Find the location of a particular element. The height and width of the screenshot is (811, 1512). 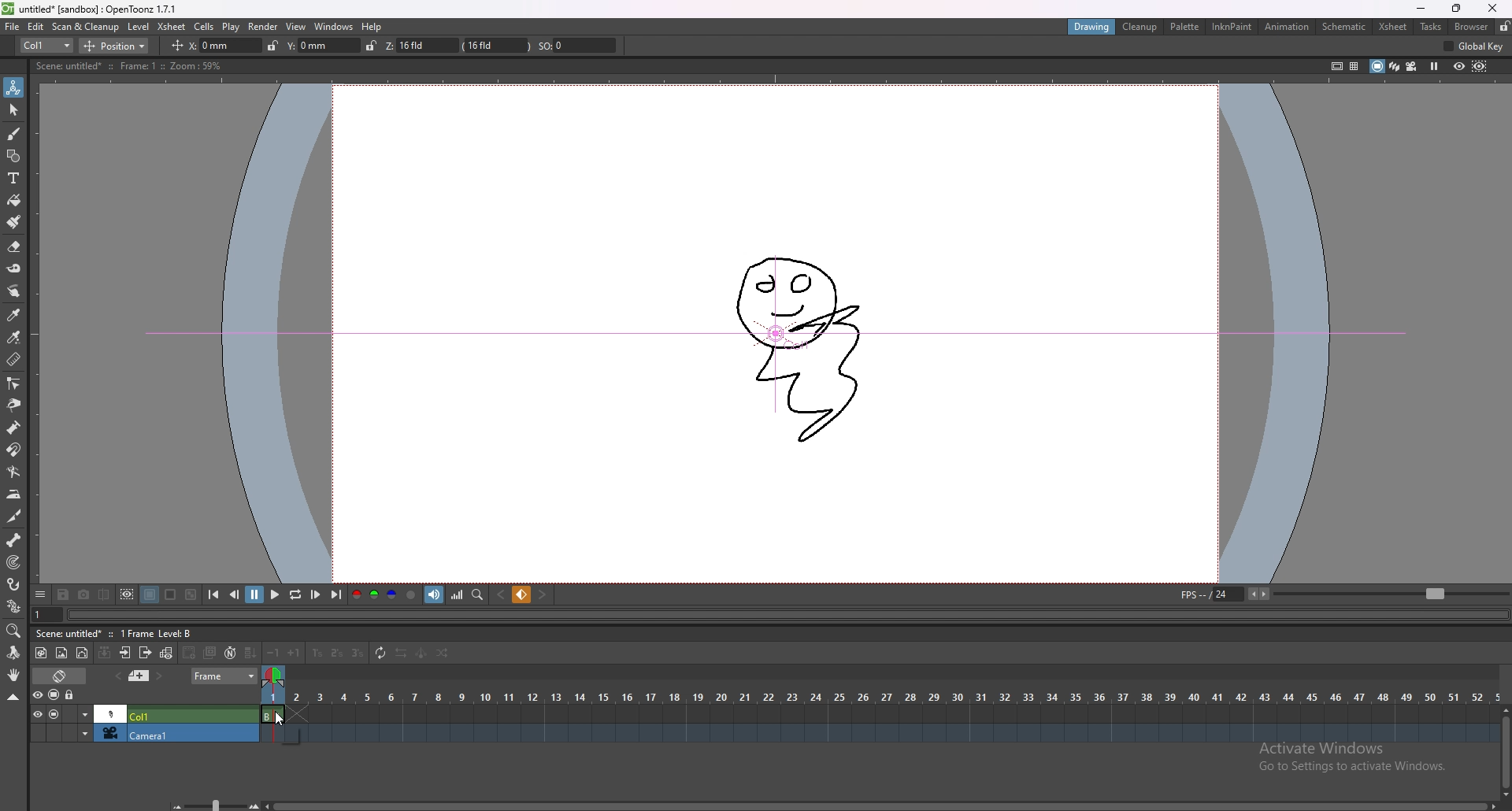

toggle timeline is located at coordinates (59, 676).